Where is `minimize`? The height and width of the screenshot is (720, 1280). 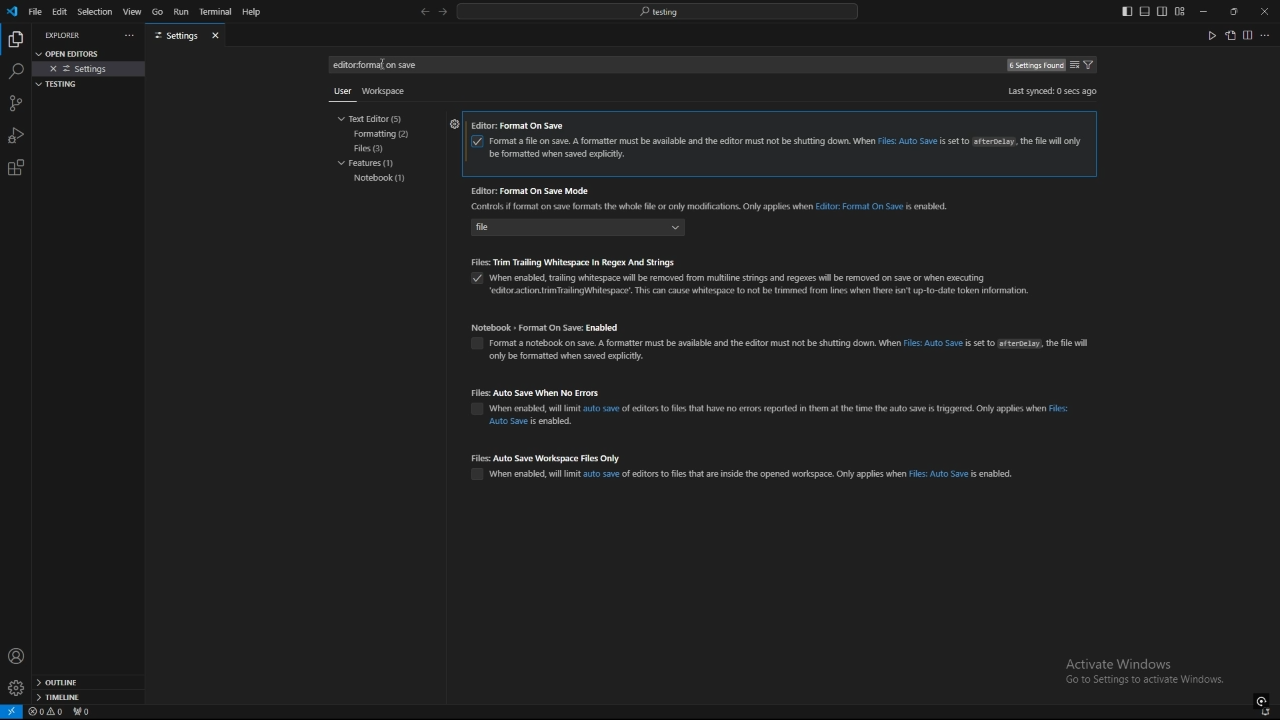 minimize is located at coordinates (1204, 12).